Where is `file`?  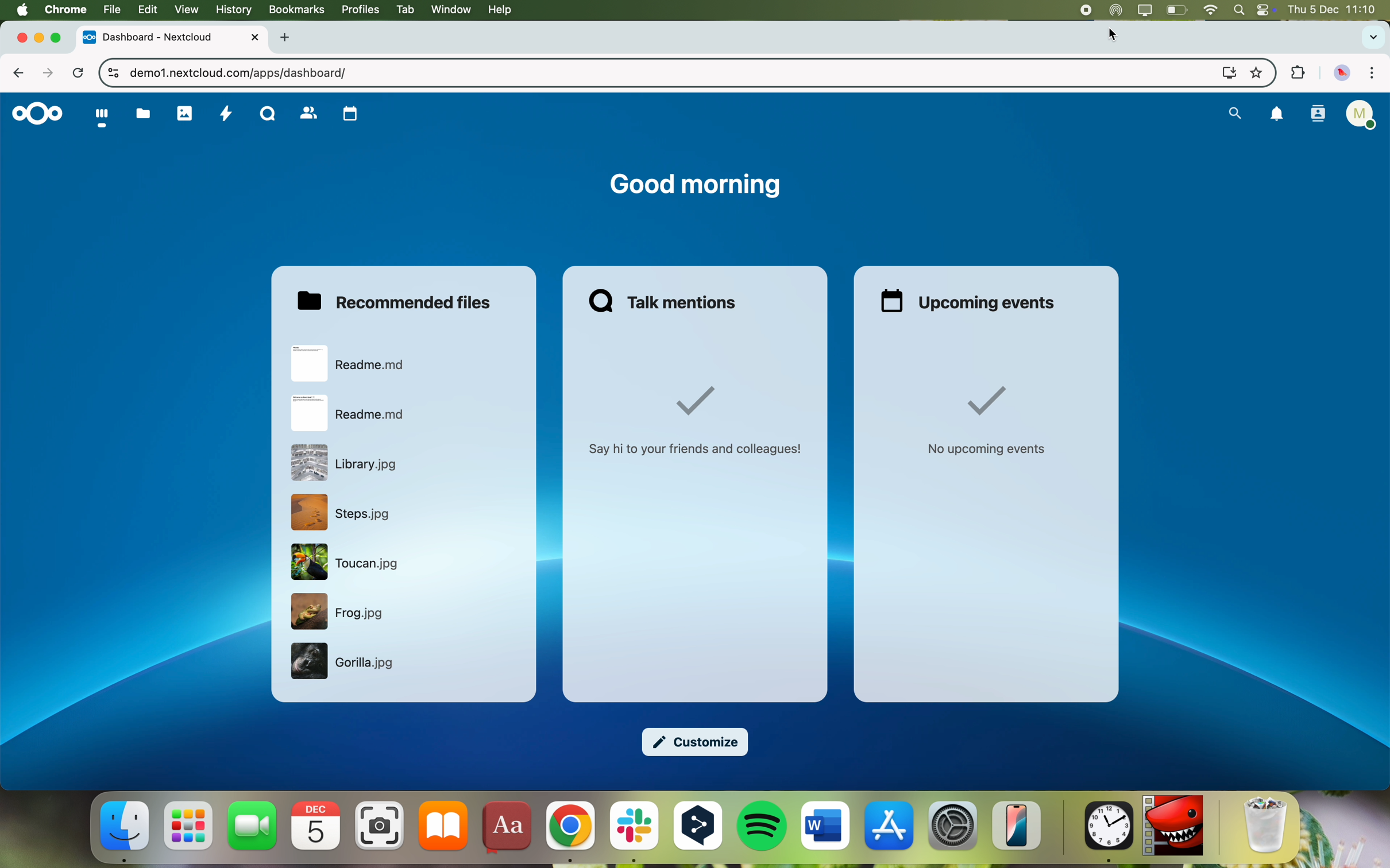 file is located at coordinates (352, 363).